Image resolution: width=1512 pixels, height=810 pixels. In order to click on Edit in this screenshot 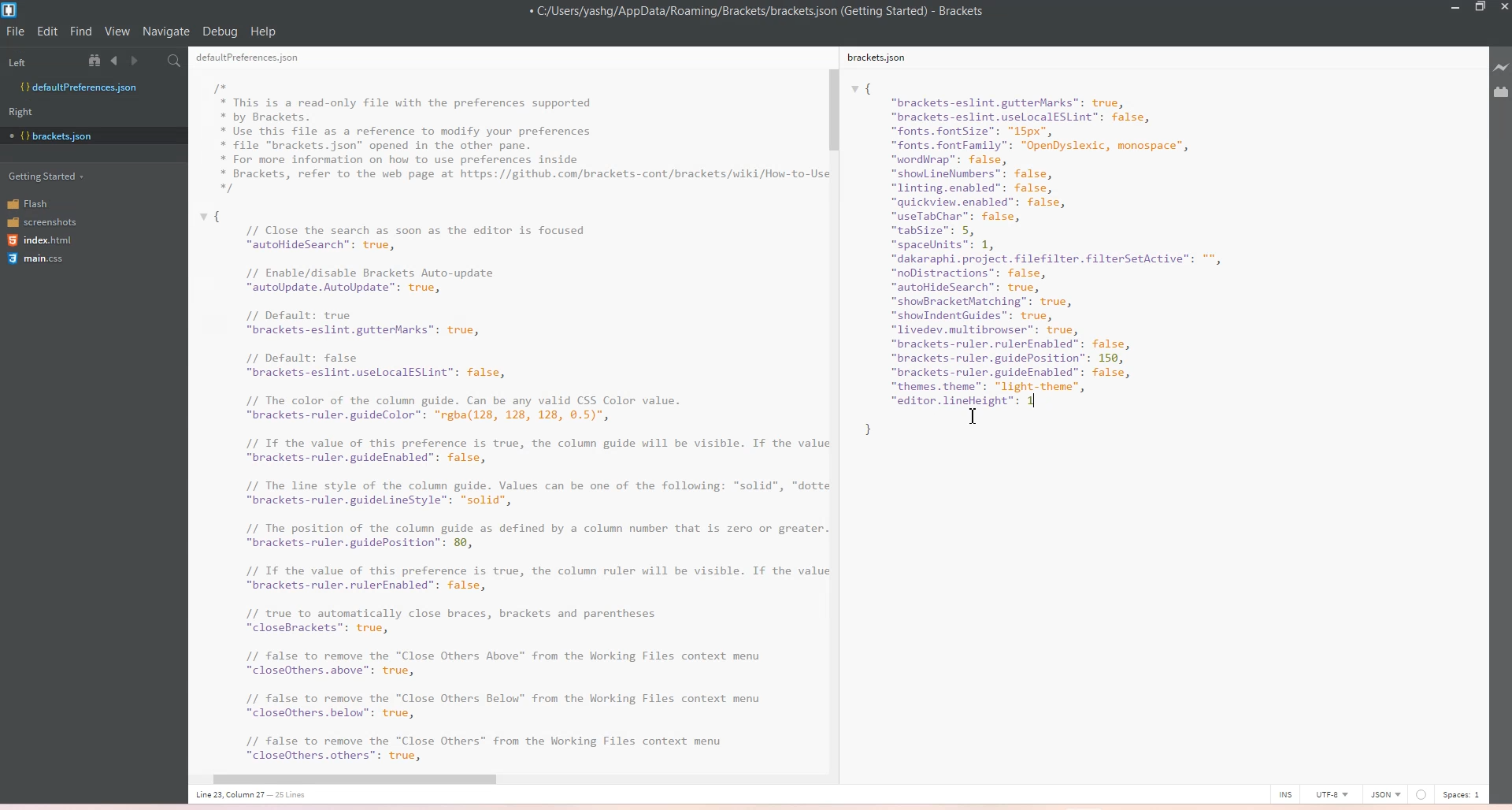, I will do `click(49, 32)`.